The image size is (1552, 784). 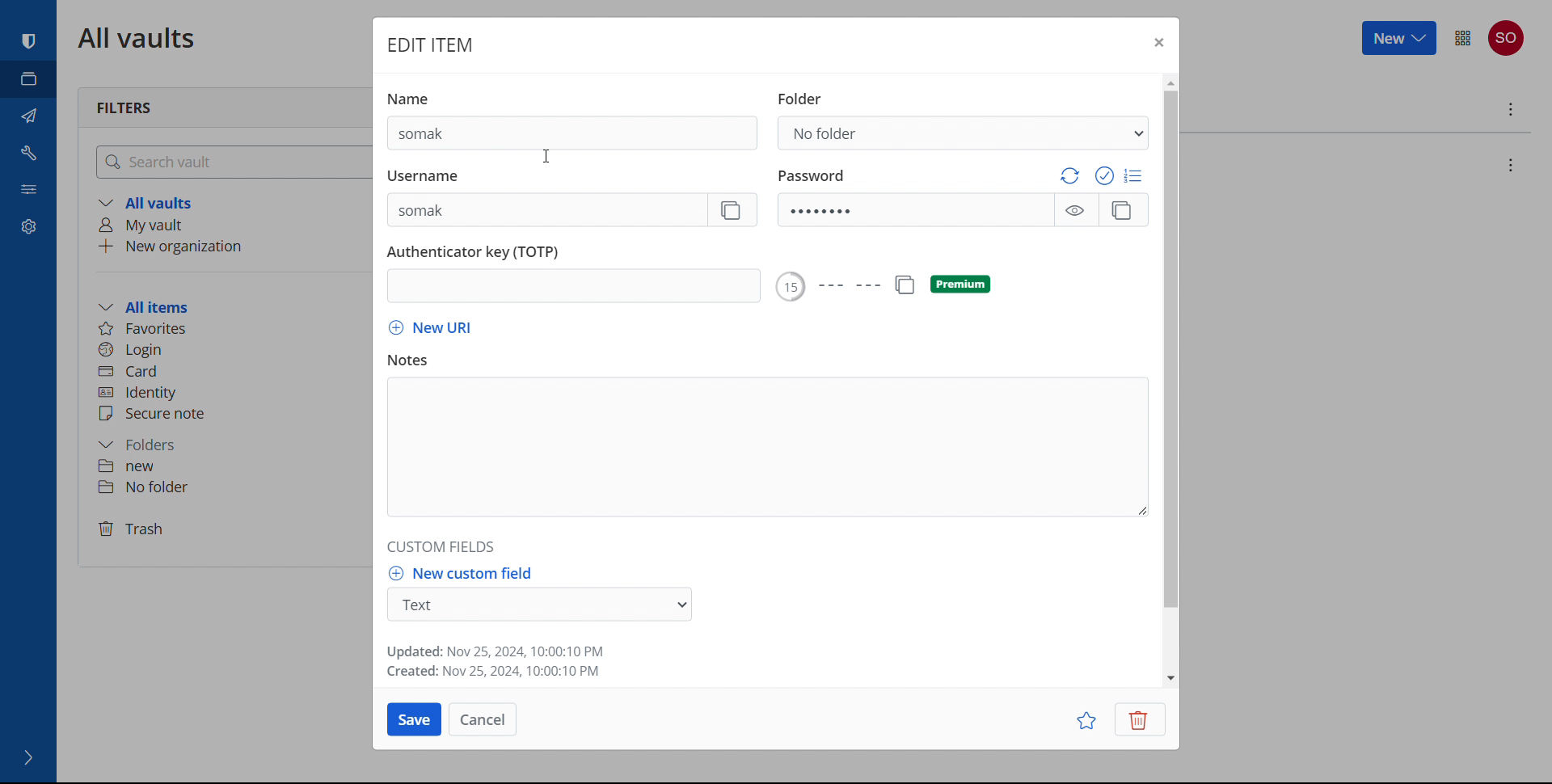 I want to click on new url, so click(x=429, y=329).